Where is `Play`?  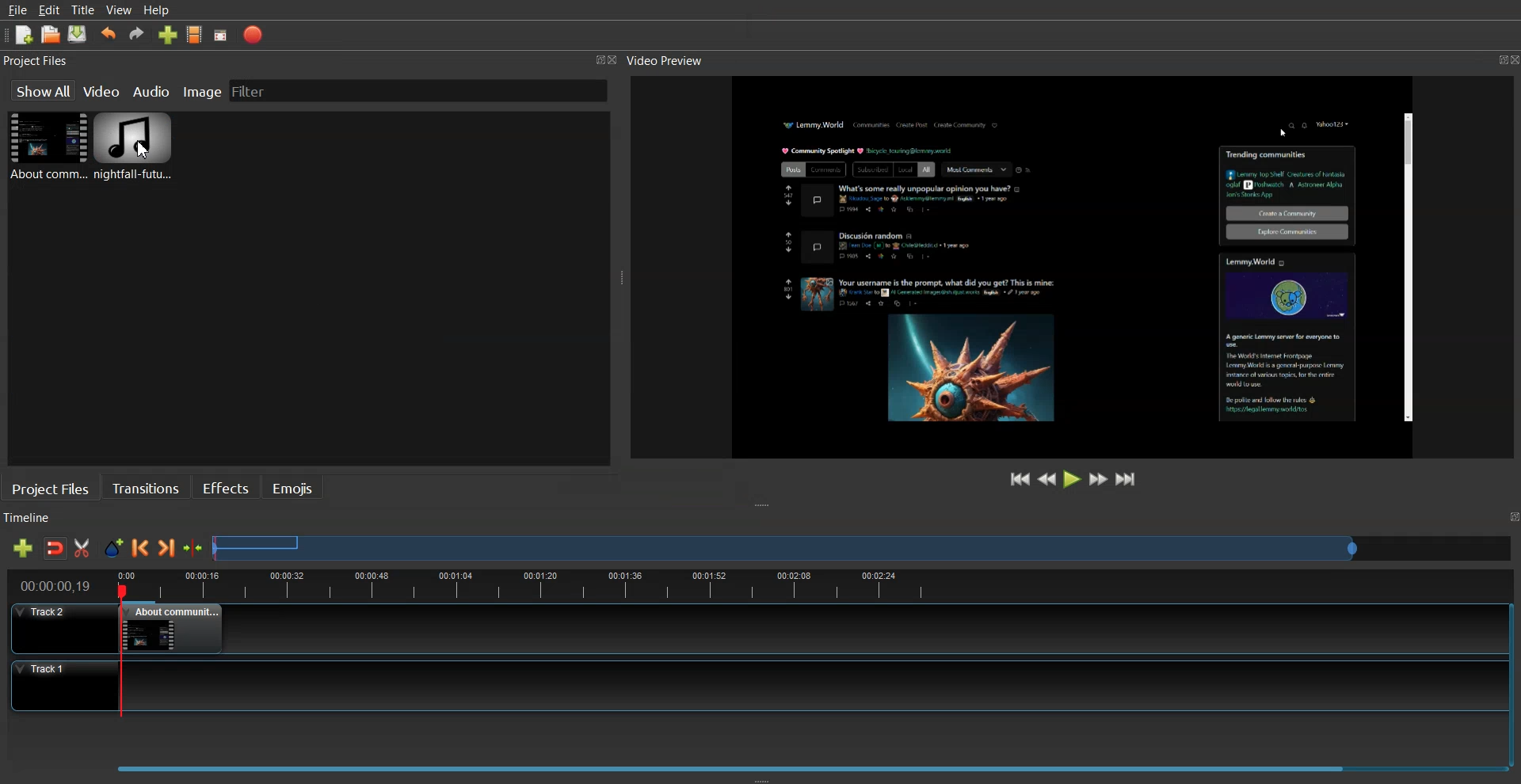
Play is located at coordinates (1073, 478).